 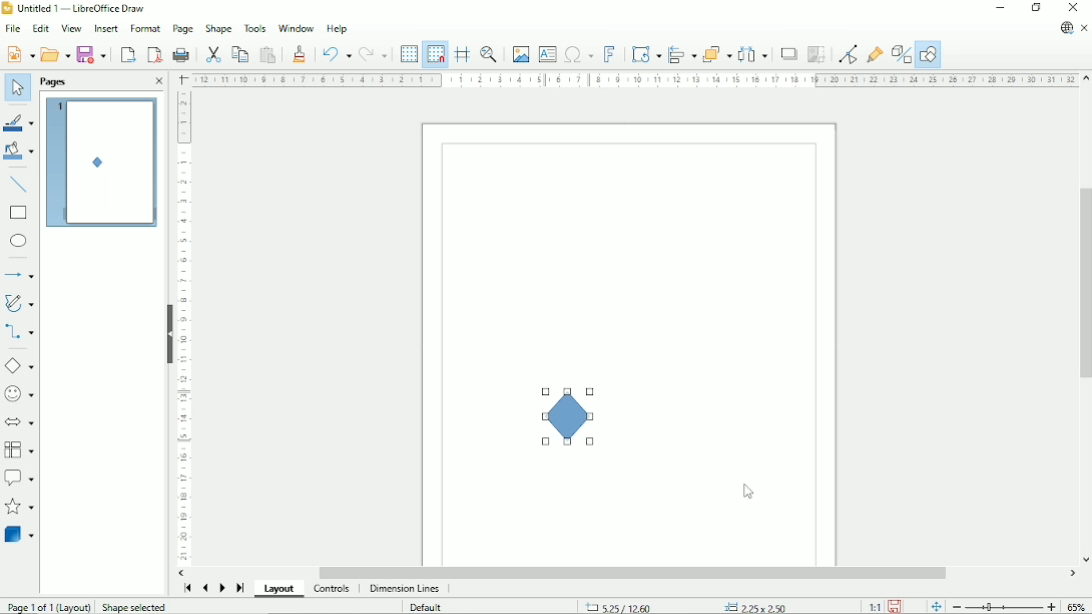 What do you see at coordinates (1085, 79) in the screenshot?
I see `Vertical scroll button` at bounding box center [1085, 79].